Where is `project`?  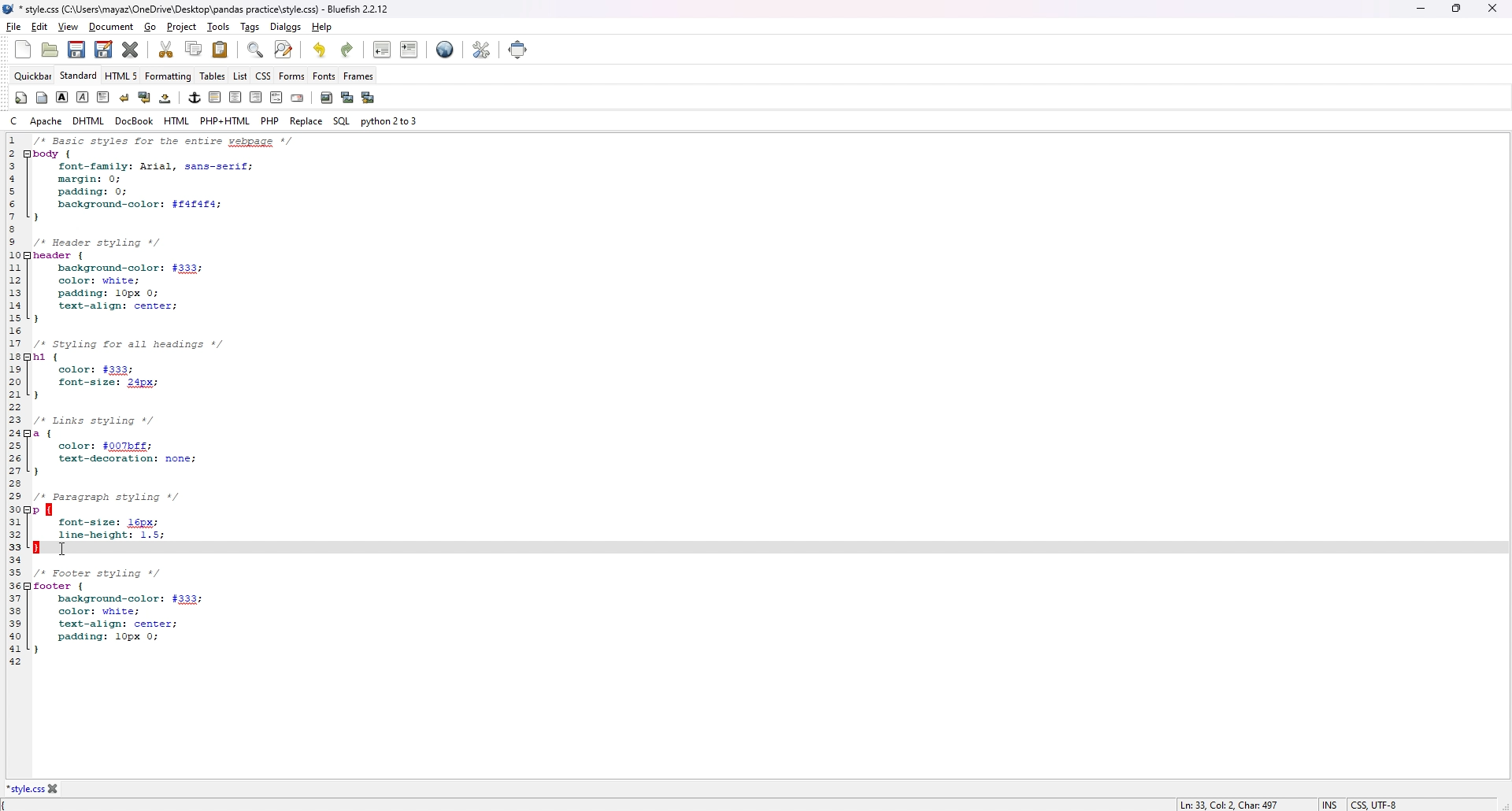
project is located at coordinates (182, 27).